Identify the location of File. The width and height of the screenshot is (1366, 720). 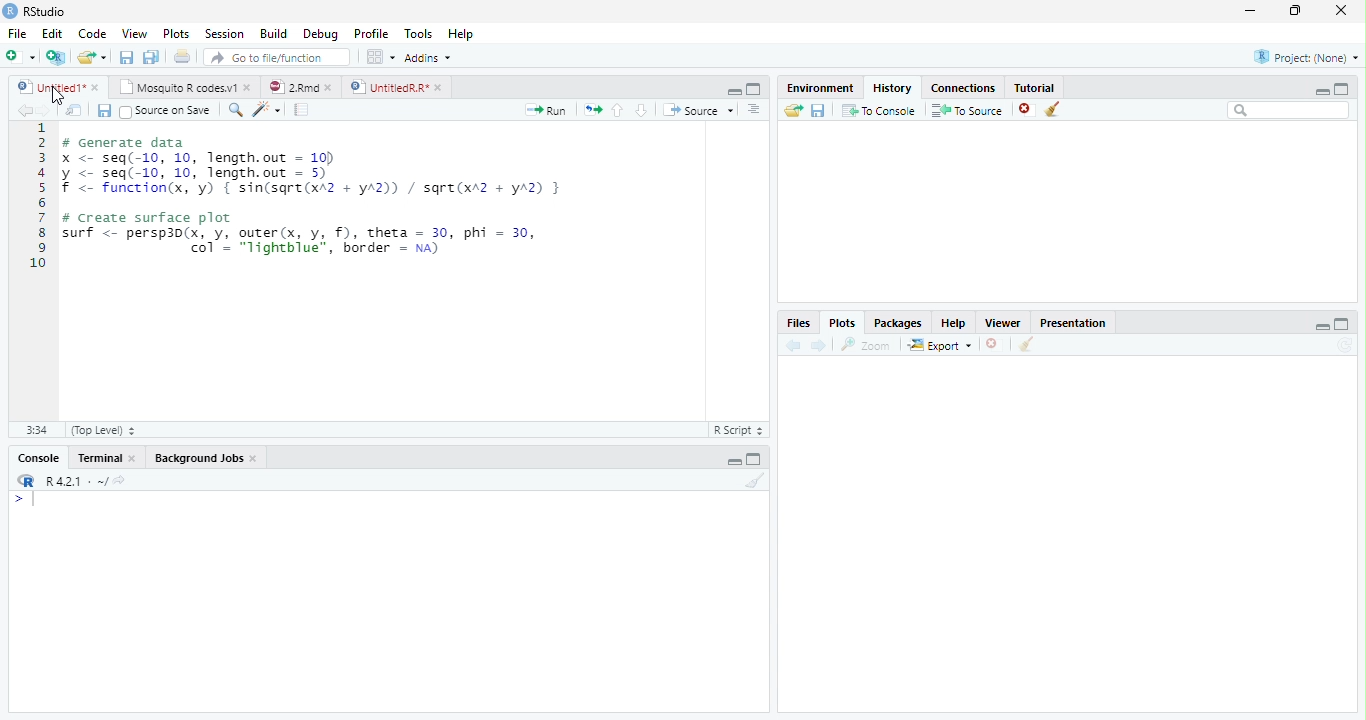
(17, 33).